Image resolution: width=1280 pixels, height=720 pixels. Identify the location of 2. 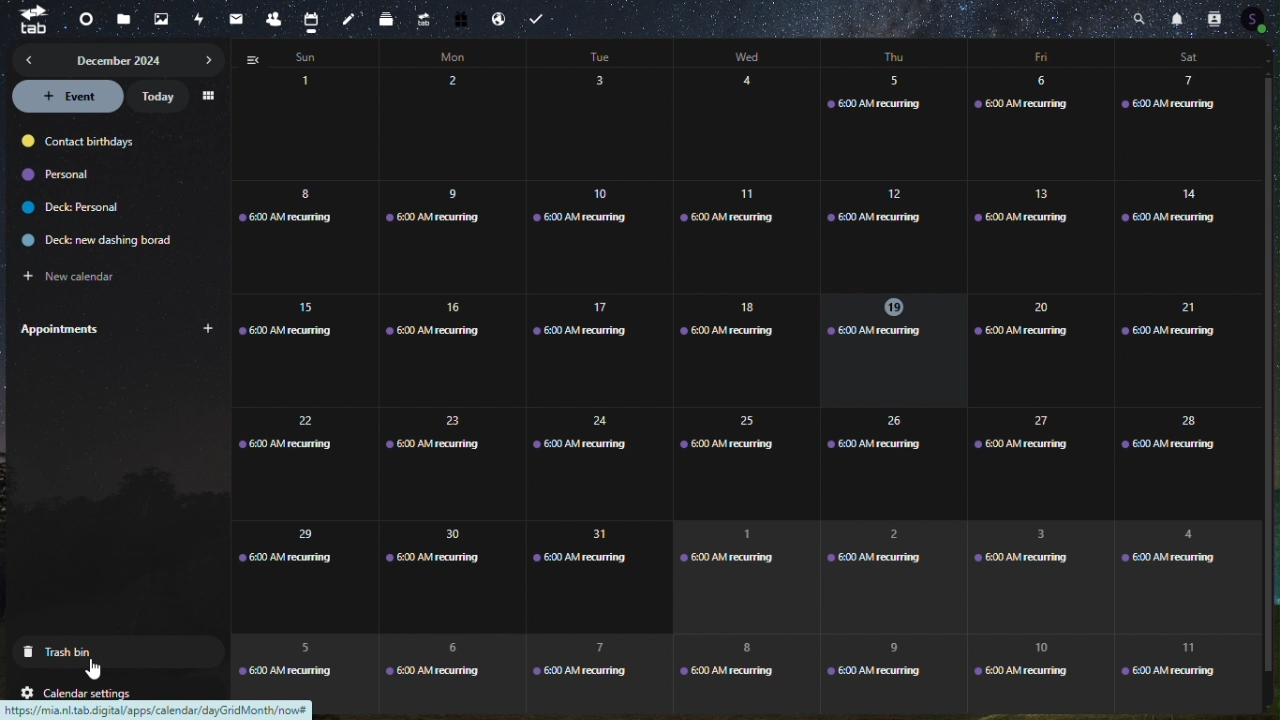
(455, 125).